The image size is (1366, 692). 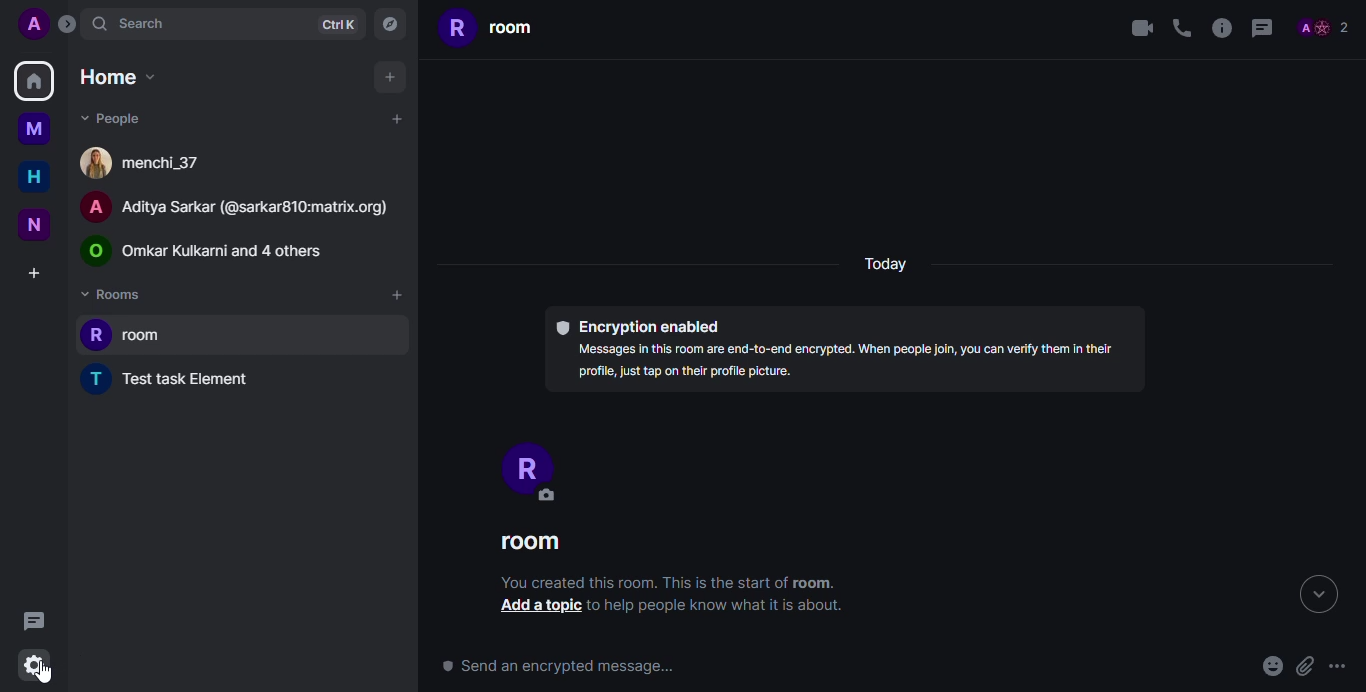 What do you see at coordinates (215, 249) in the screenshot?
I see `Public room` at bounding box center [215, 249].